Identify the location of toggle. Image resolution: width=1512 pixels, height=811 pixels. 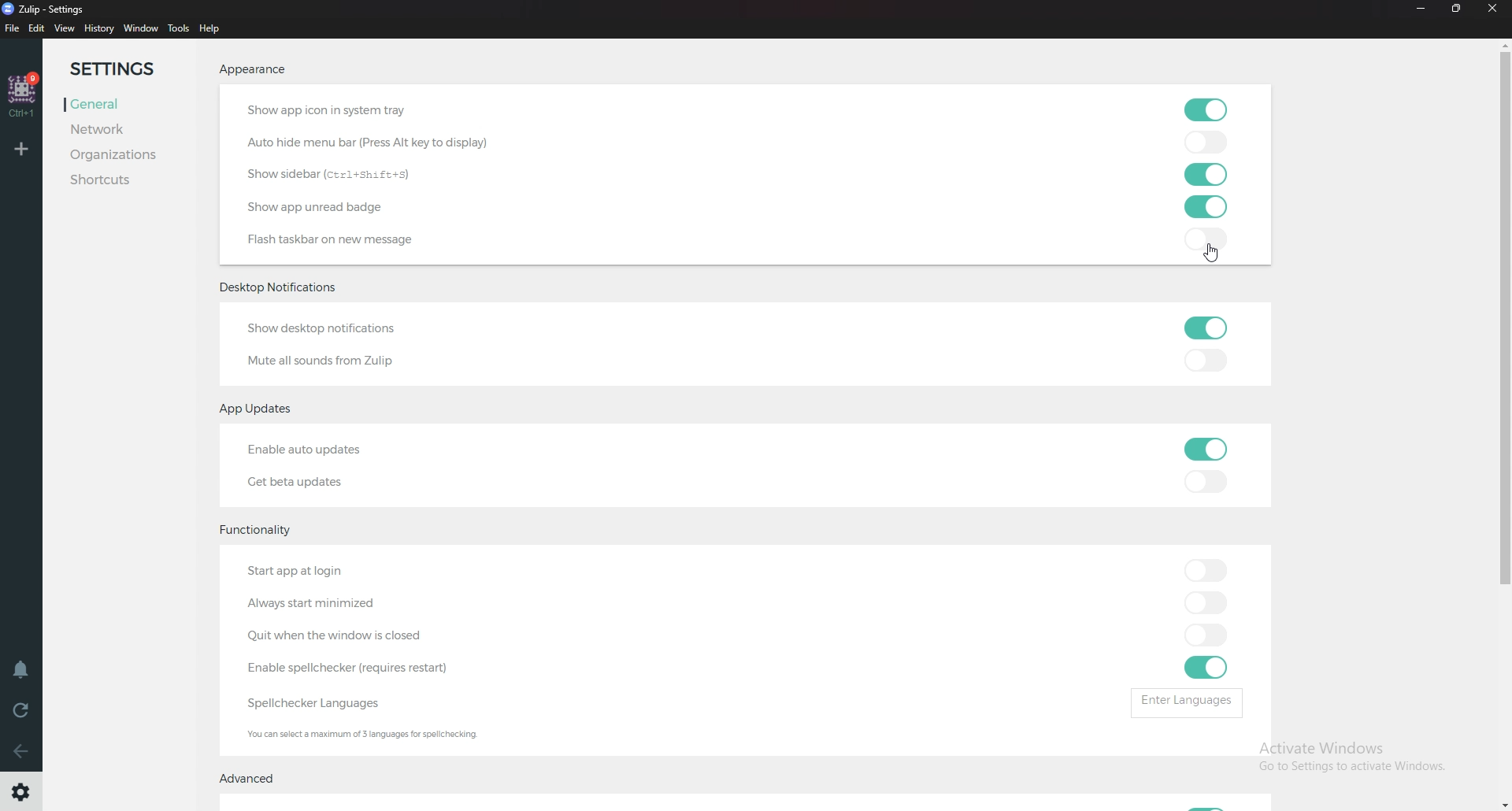
(1202, 143).